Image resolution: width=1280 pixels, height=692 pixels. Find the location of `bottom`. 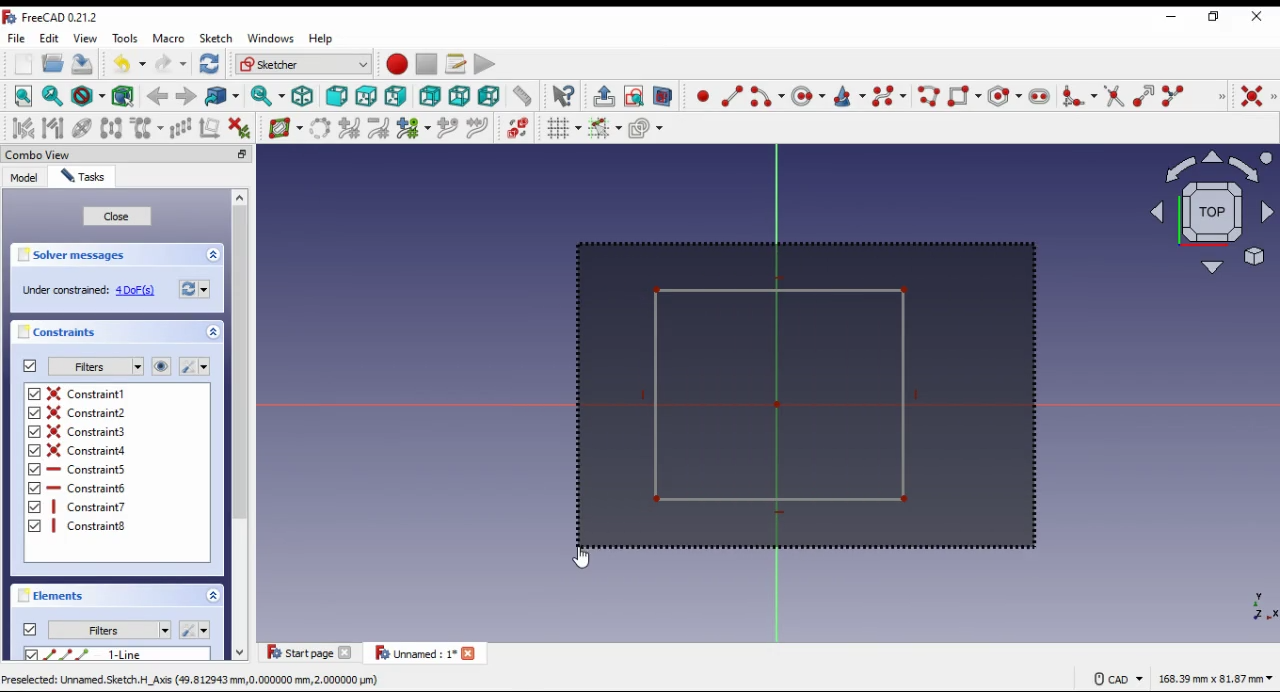

bottom is located at coordinates (459, 96).